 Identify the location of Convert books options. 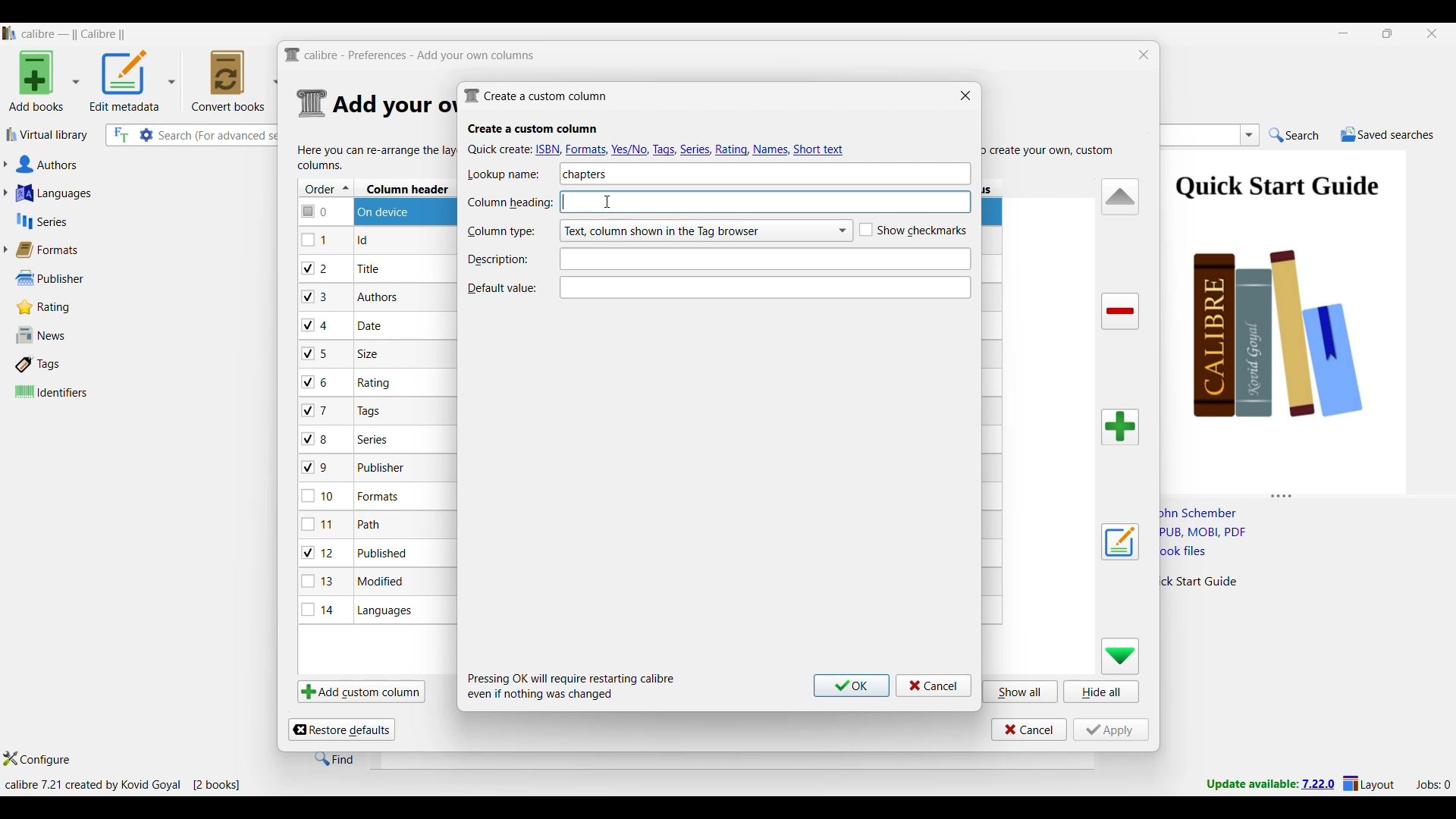
(235, 80).